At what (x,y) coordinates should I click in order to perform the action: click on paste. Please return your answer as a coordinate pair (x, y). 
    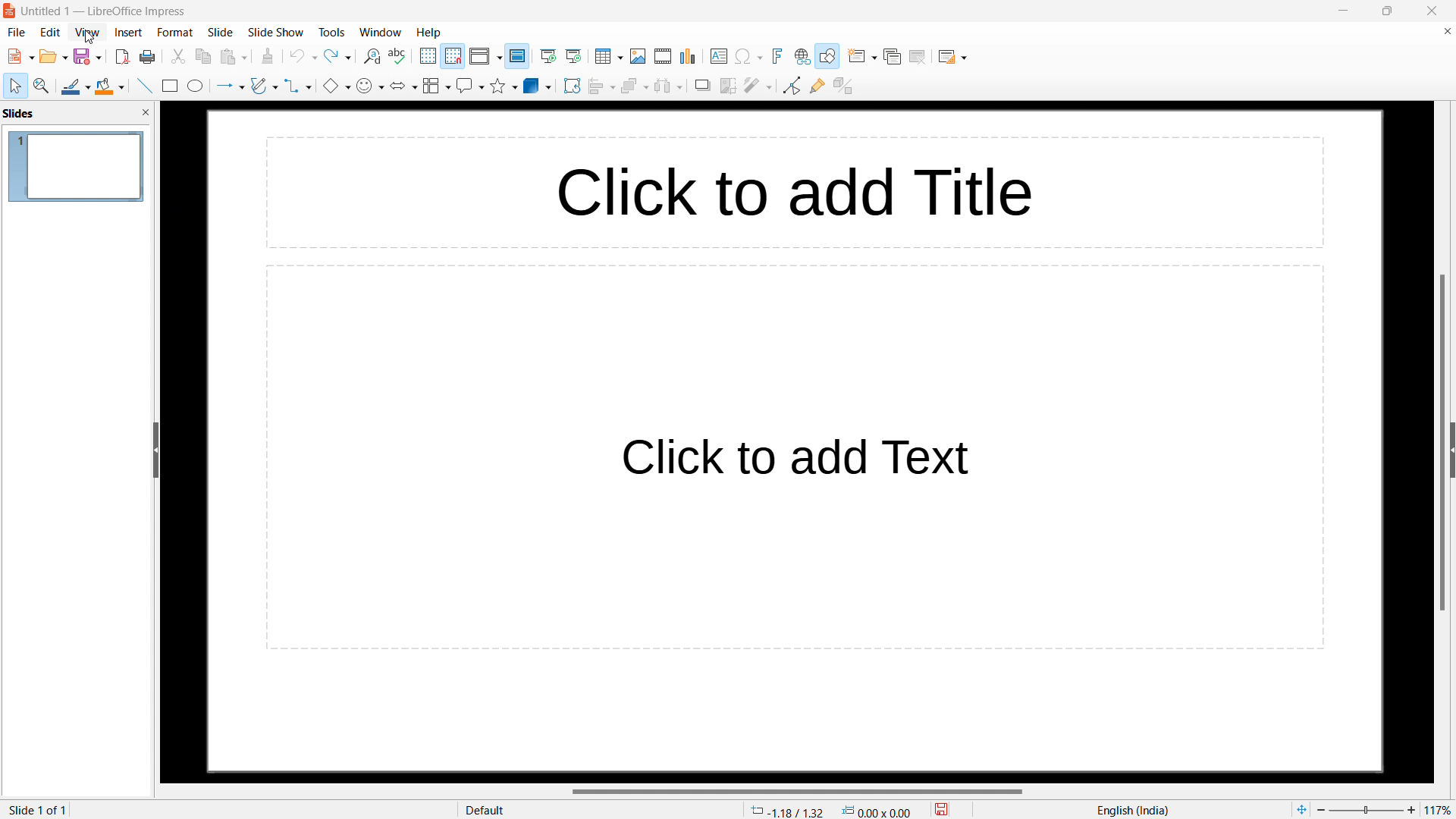
    Looking at the image, I should click on (233, 57).